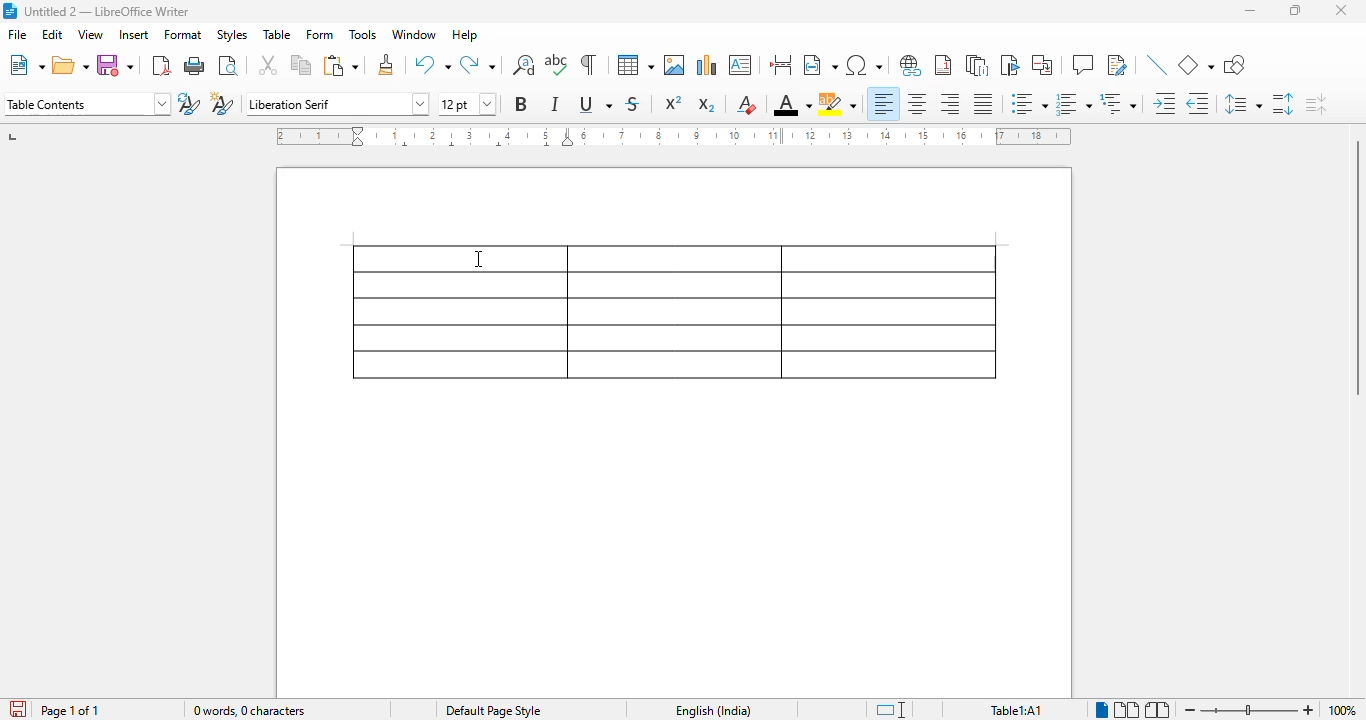  Describe the element at coordinates (1282, 104) in the screenshot. I see `increase paragraph spacing` at that location.